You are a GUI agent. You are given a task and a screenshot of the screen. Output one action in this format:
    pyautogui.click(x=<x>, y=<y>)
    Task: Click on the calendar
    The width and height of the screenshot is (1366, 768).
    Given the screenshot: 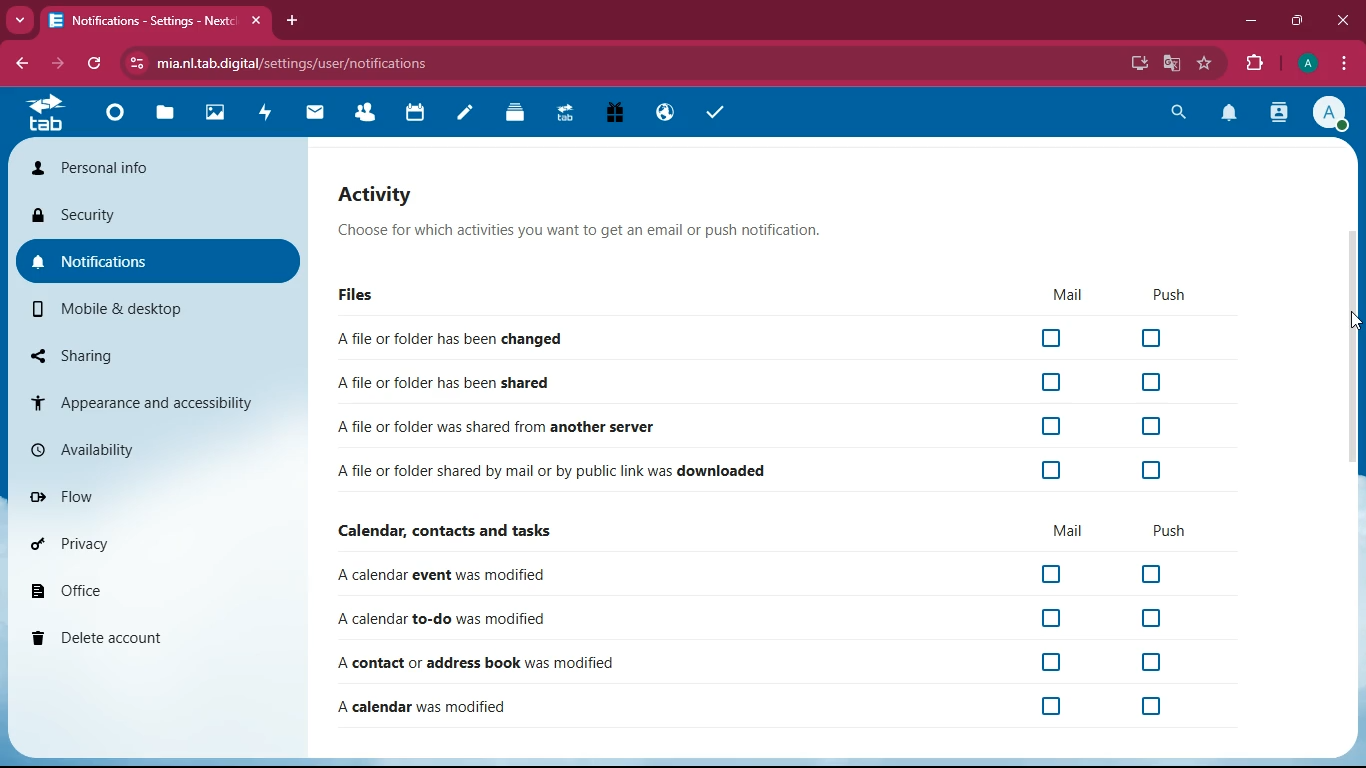 What is the action you would take?
    pyautogui.click(x=419, y=114)
    